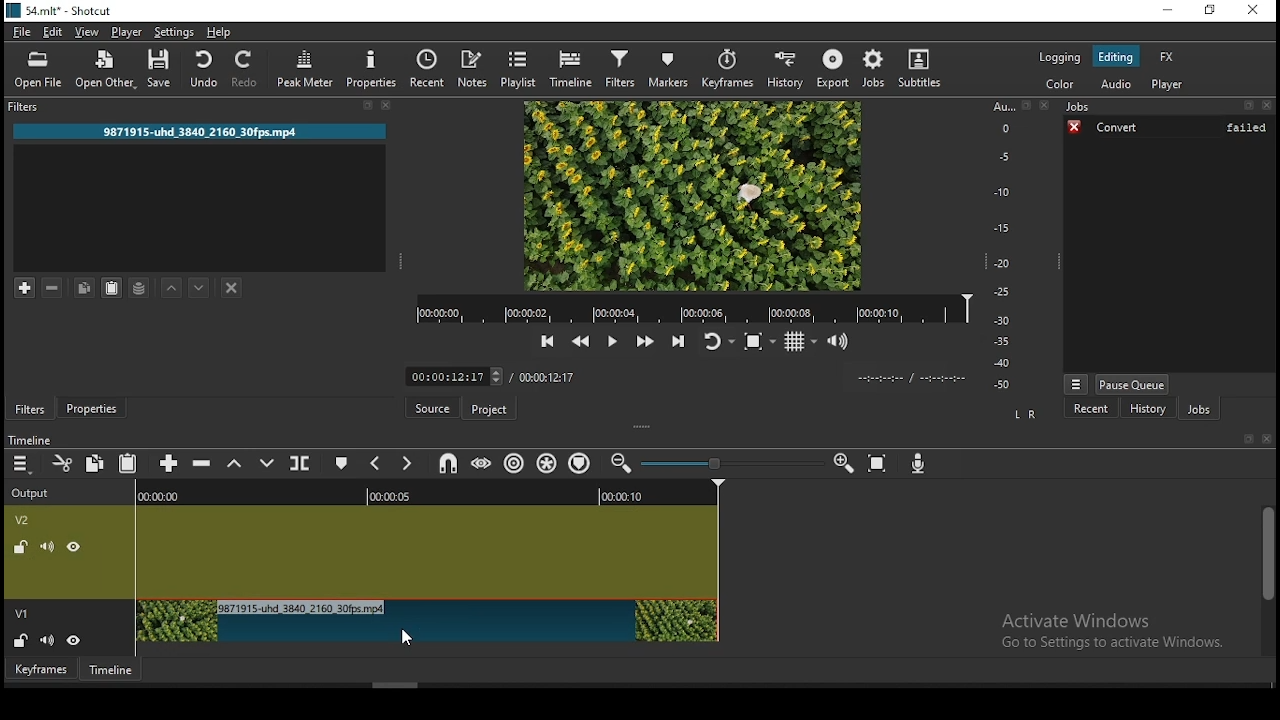 The image size is (1280, 720). Describe the element at coordinates (475, 69) in the screenshot. I see `notes` at that location.